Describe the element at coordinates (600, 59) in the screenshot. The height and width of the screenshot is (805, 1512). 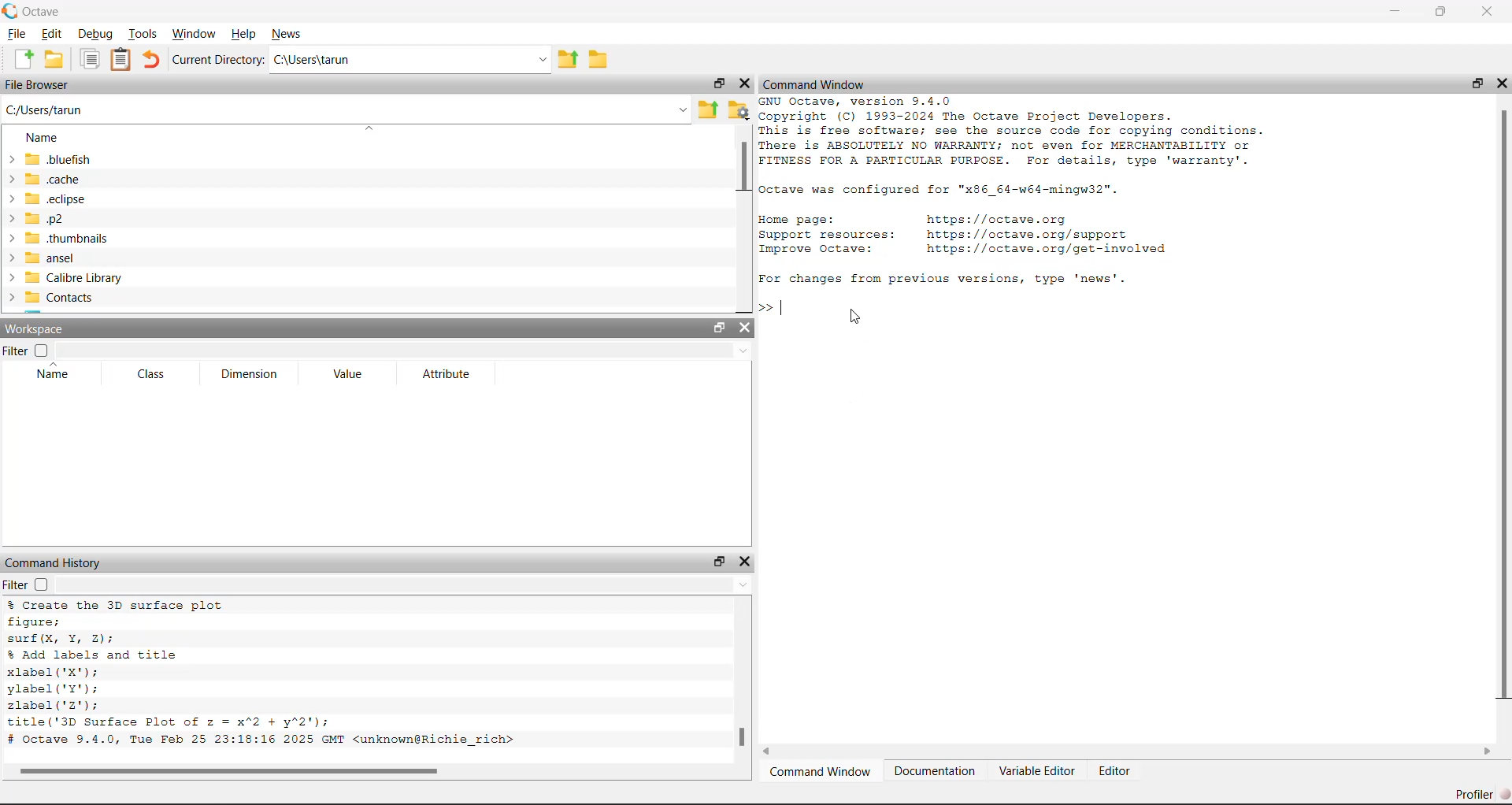
I see `Folder` at that location.